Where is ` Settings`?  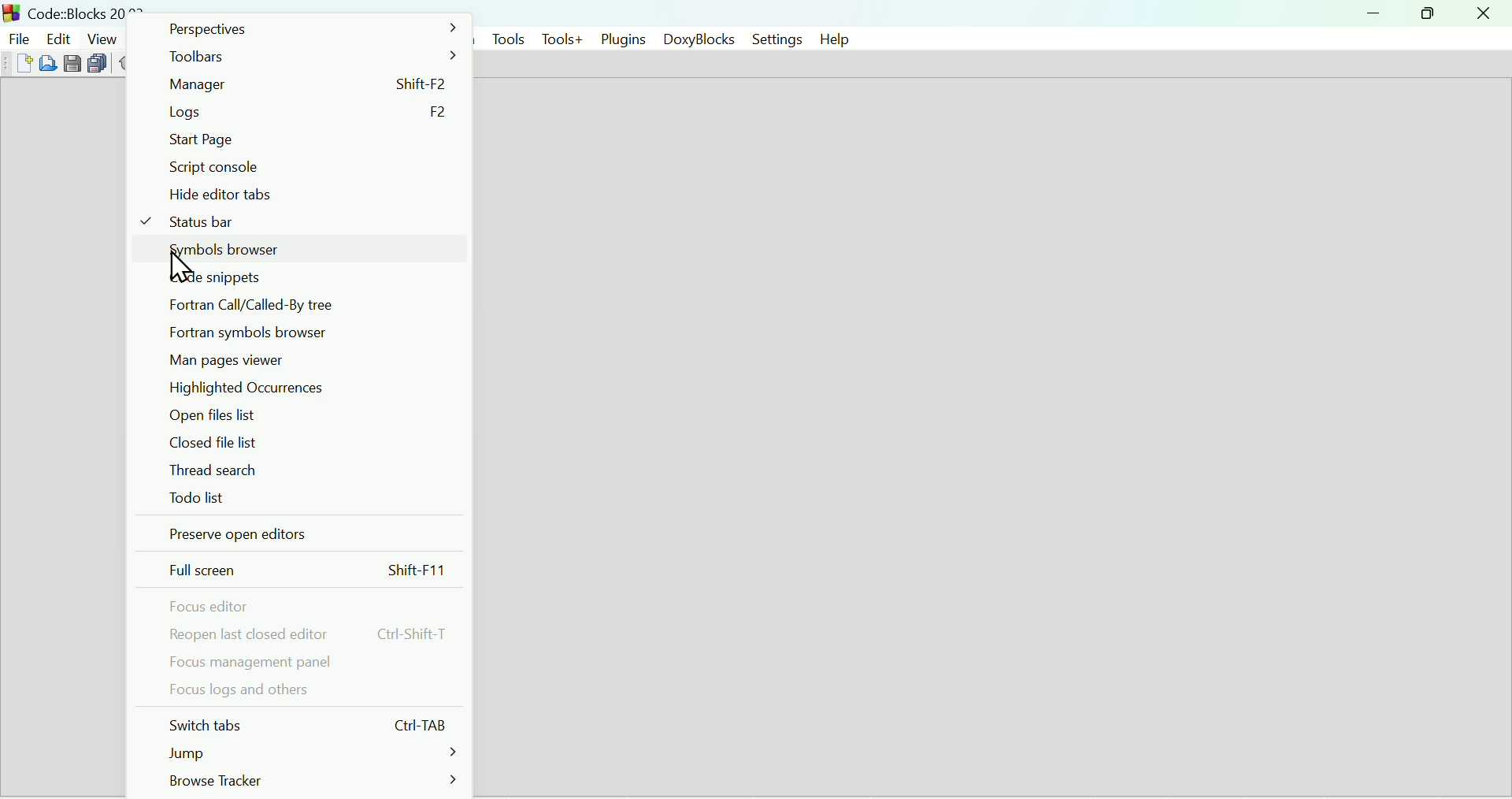
 Settings is located at coordinates (770, 39).